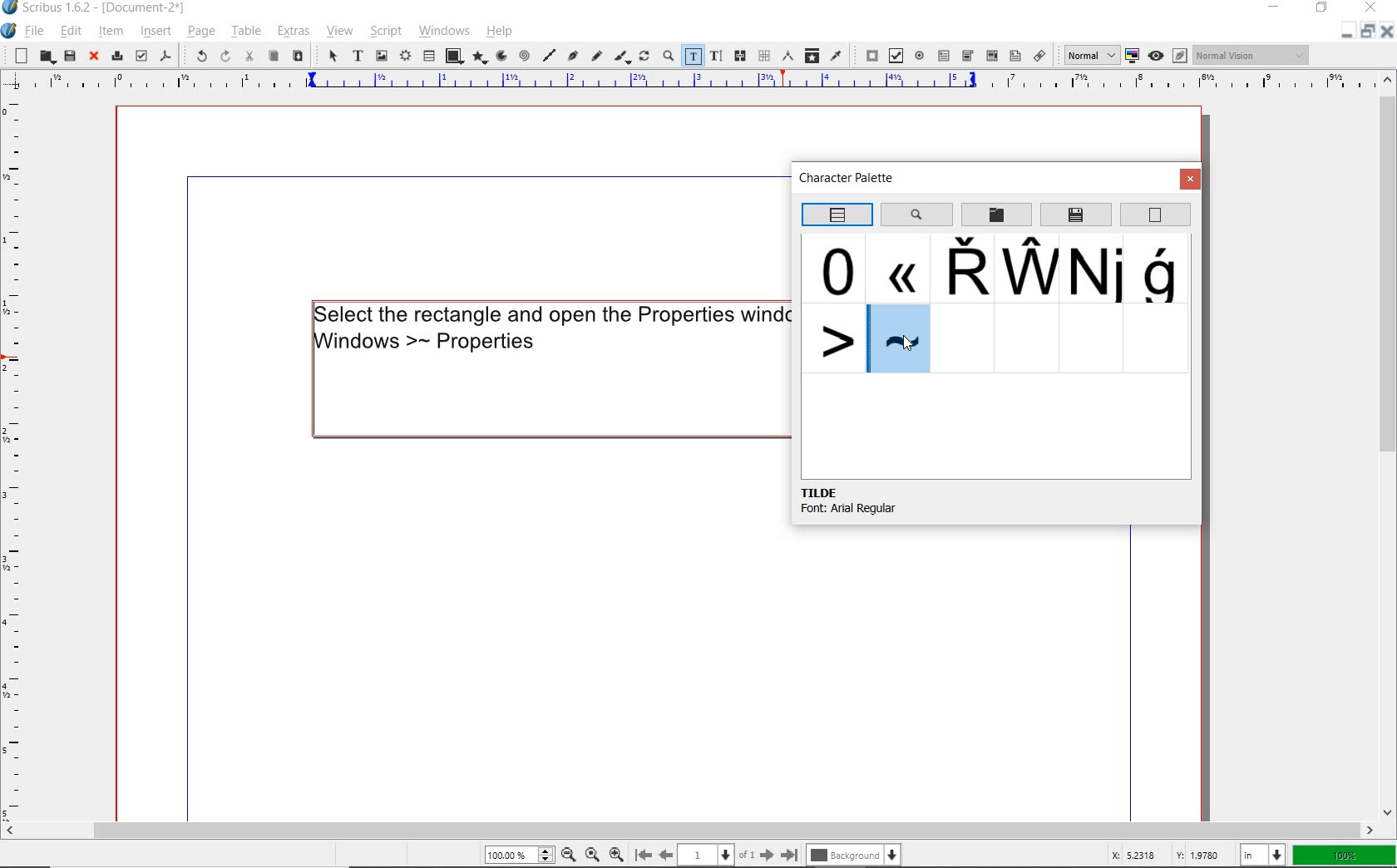 The height and width of the screenshot is (868, 1397). I want to click on polygon, so click(480, 57).